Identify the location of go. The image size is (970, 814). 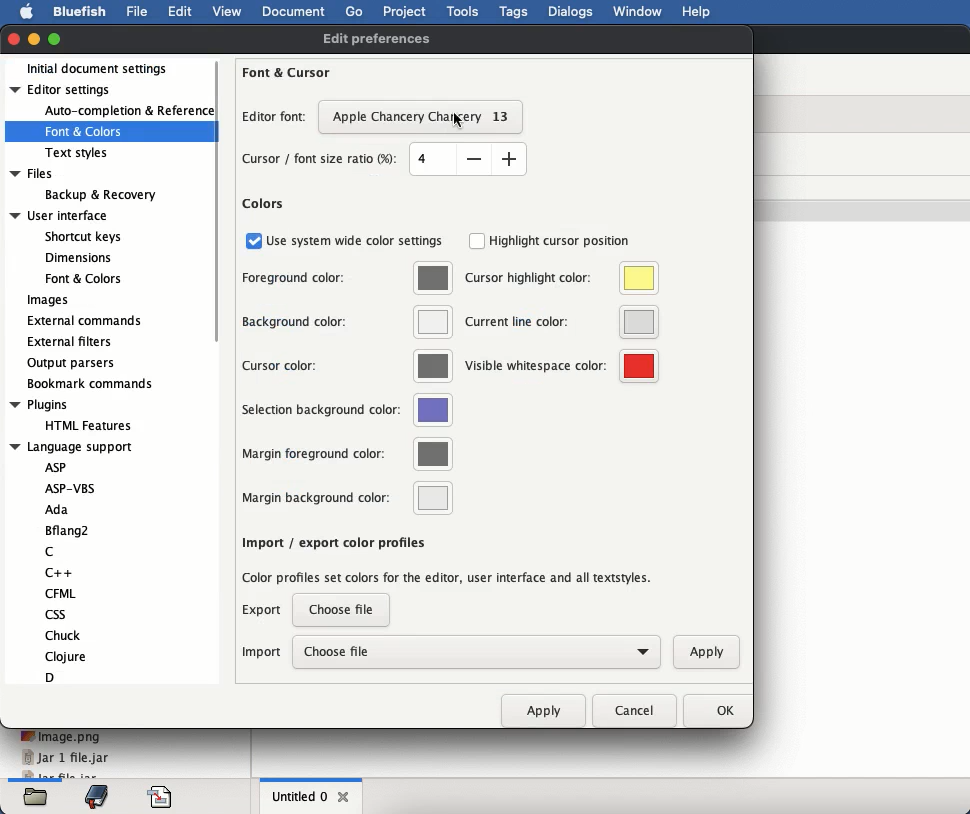
(355, 11).